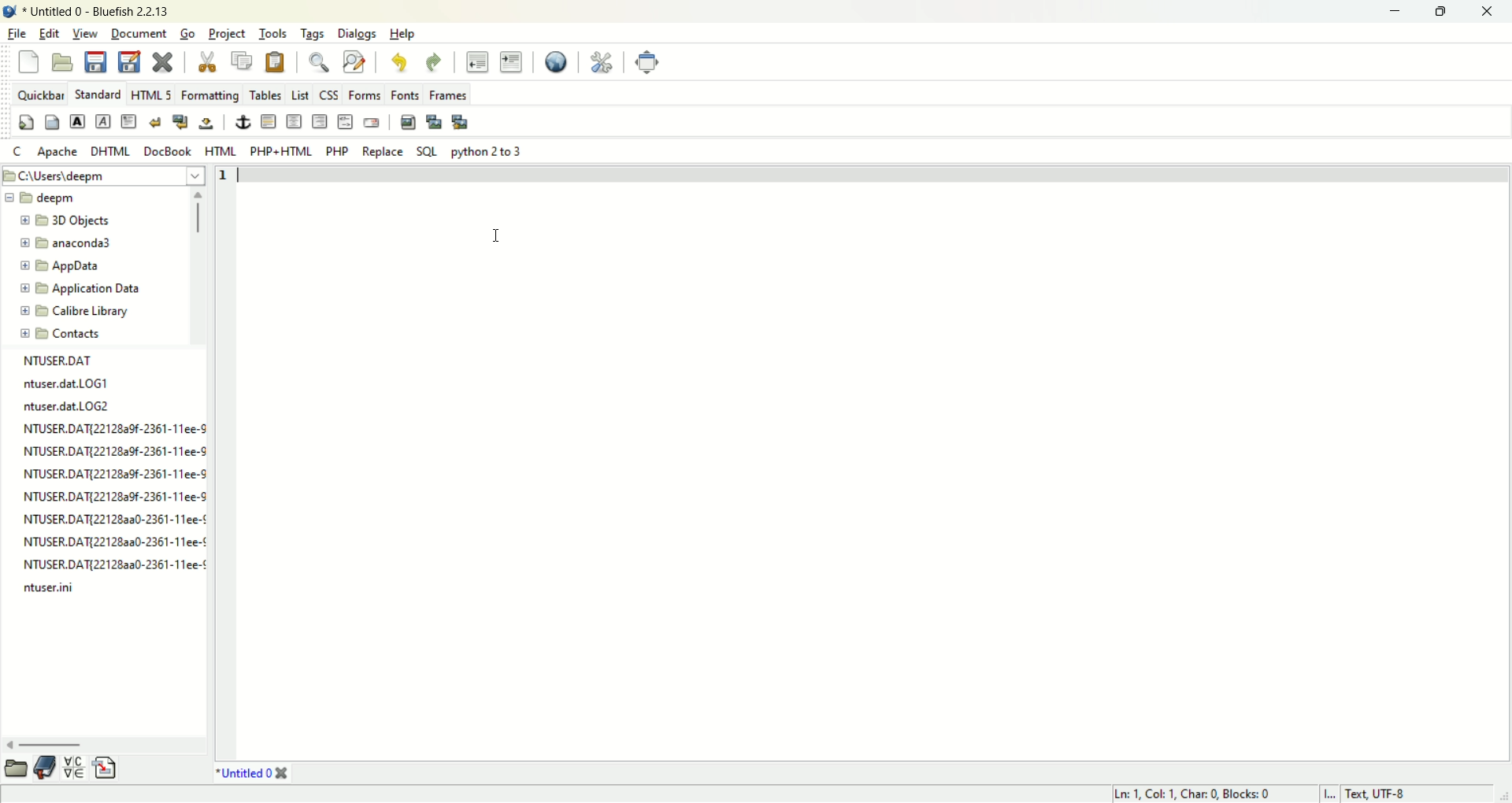 This screenshot has width=1512, height=803. I want to click on undo, so click(401, 63).